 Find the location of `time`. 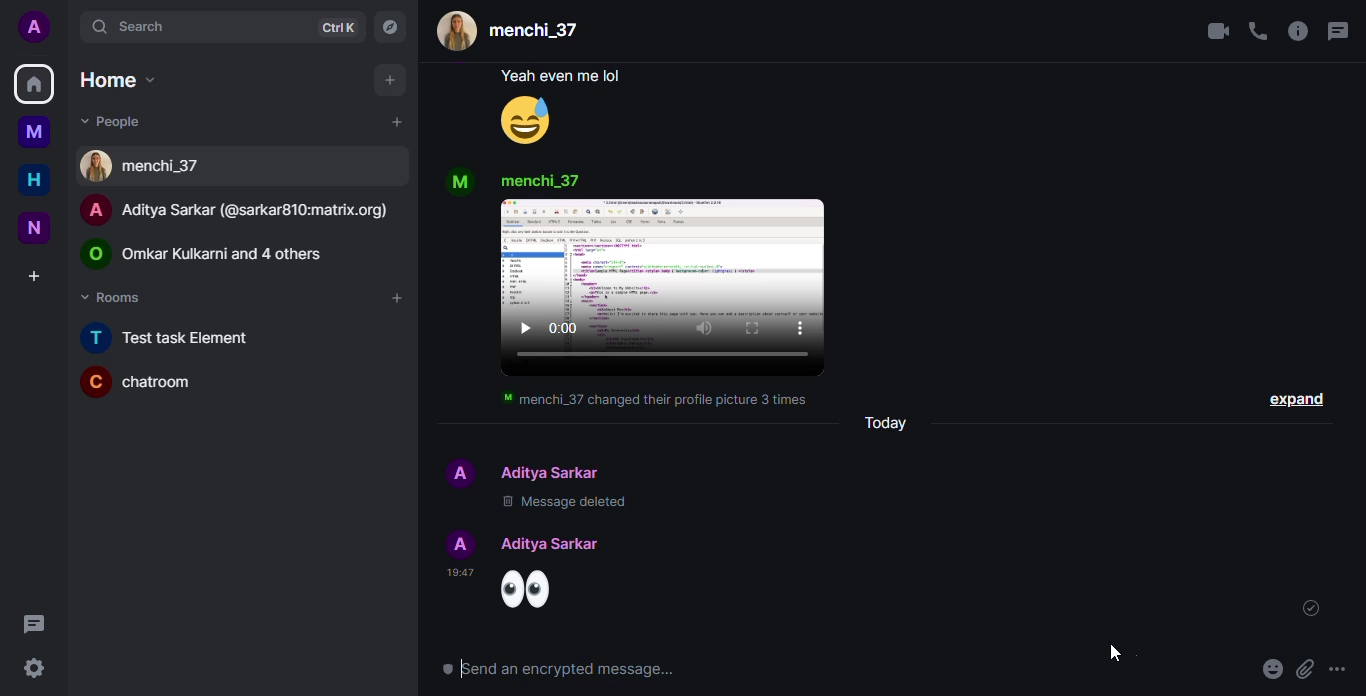

time is located at coordinates (465, 573).